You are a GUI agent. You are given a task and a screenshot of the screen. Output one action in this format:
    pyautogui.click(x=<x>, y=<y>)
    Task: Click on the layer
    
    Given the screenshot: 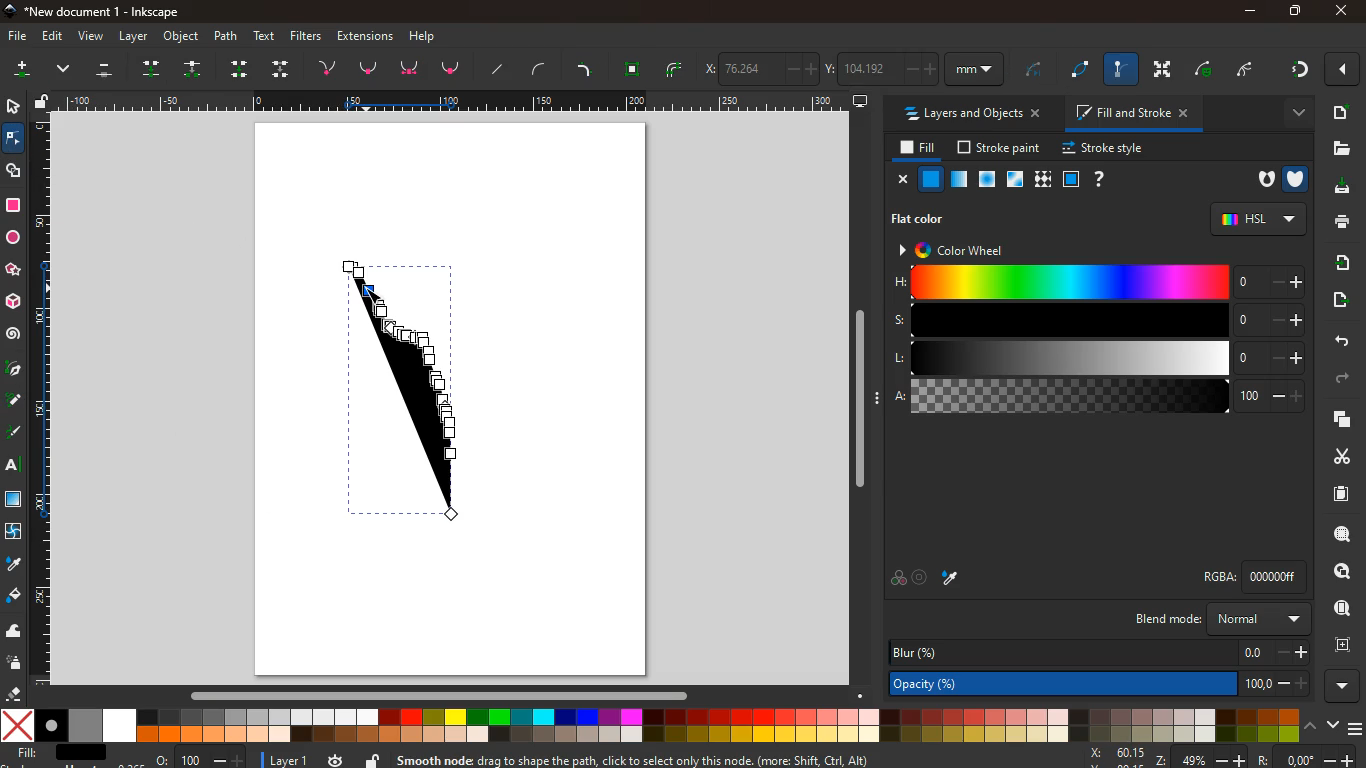 What is the action you would take?
    pyautogui.click(x=280, y=759)
    